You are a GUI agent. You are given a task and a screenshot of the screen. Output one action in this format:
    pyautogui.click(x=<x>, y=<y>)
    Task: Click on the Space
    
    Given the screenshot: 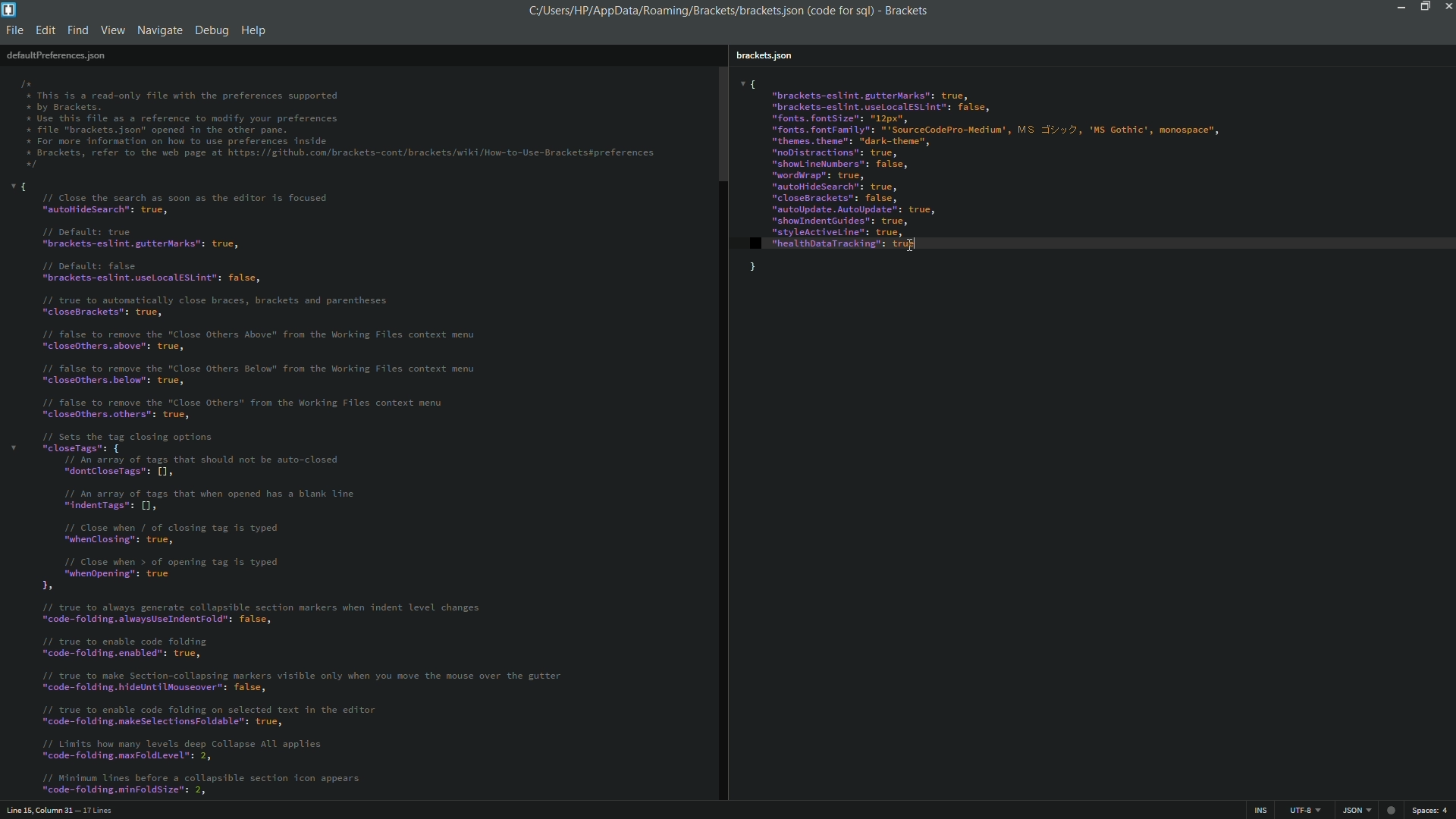 What is the action you would take?
    pyautogui.click(x=1433, y=811)
    